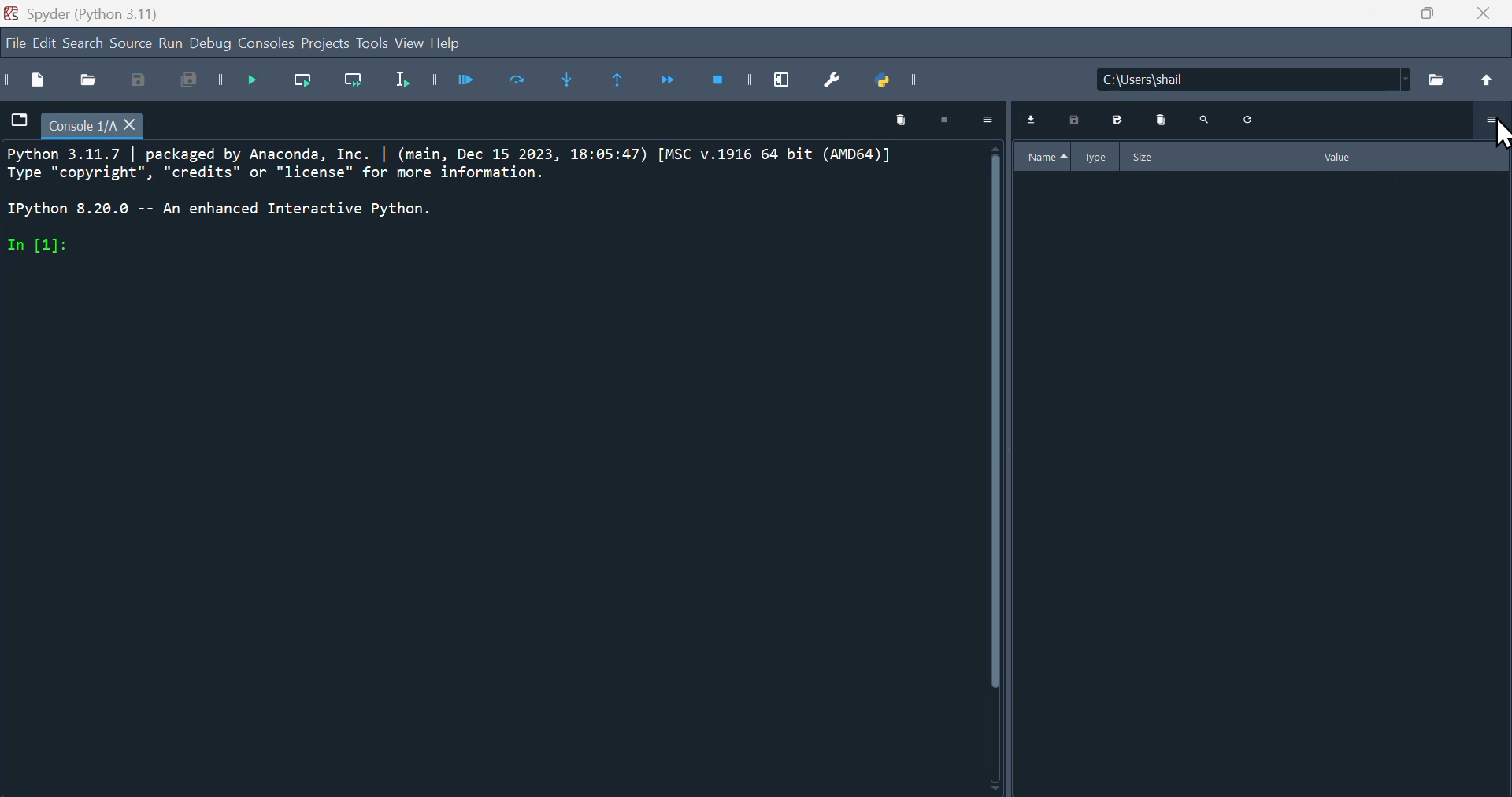 This screenshot has height=797, width=1512. I want to click on Debug, so click(214, 43).